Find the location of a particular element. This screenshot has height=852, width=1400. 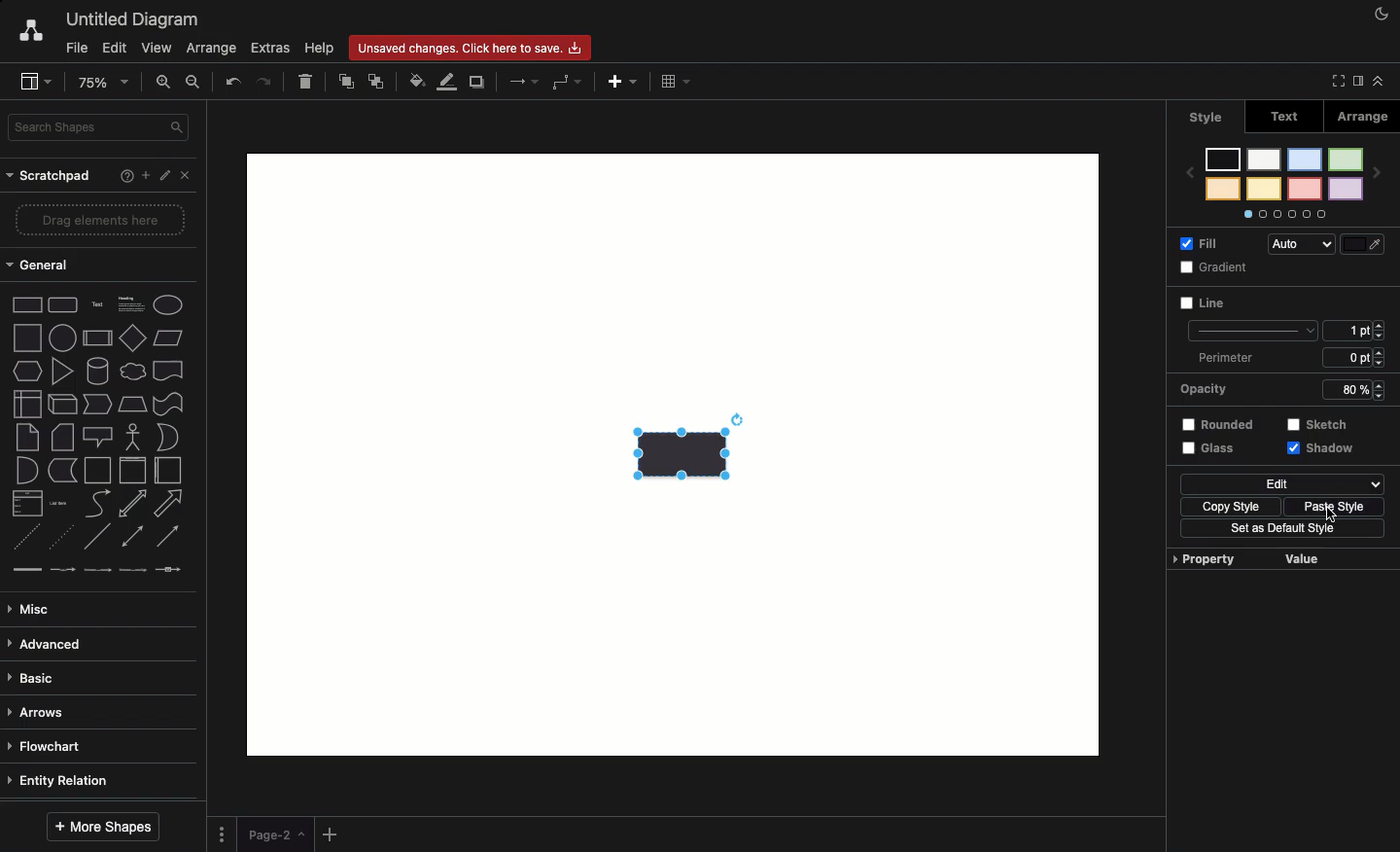

circle is located at coordinates (63, 337).